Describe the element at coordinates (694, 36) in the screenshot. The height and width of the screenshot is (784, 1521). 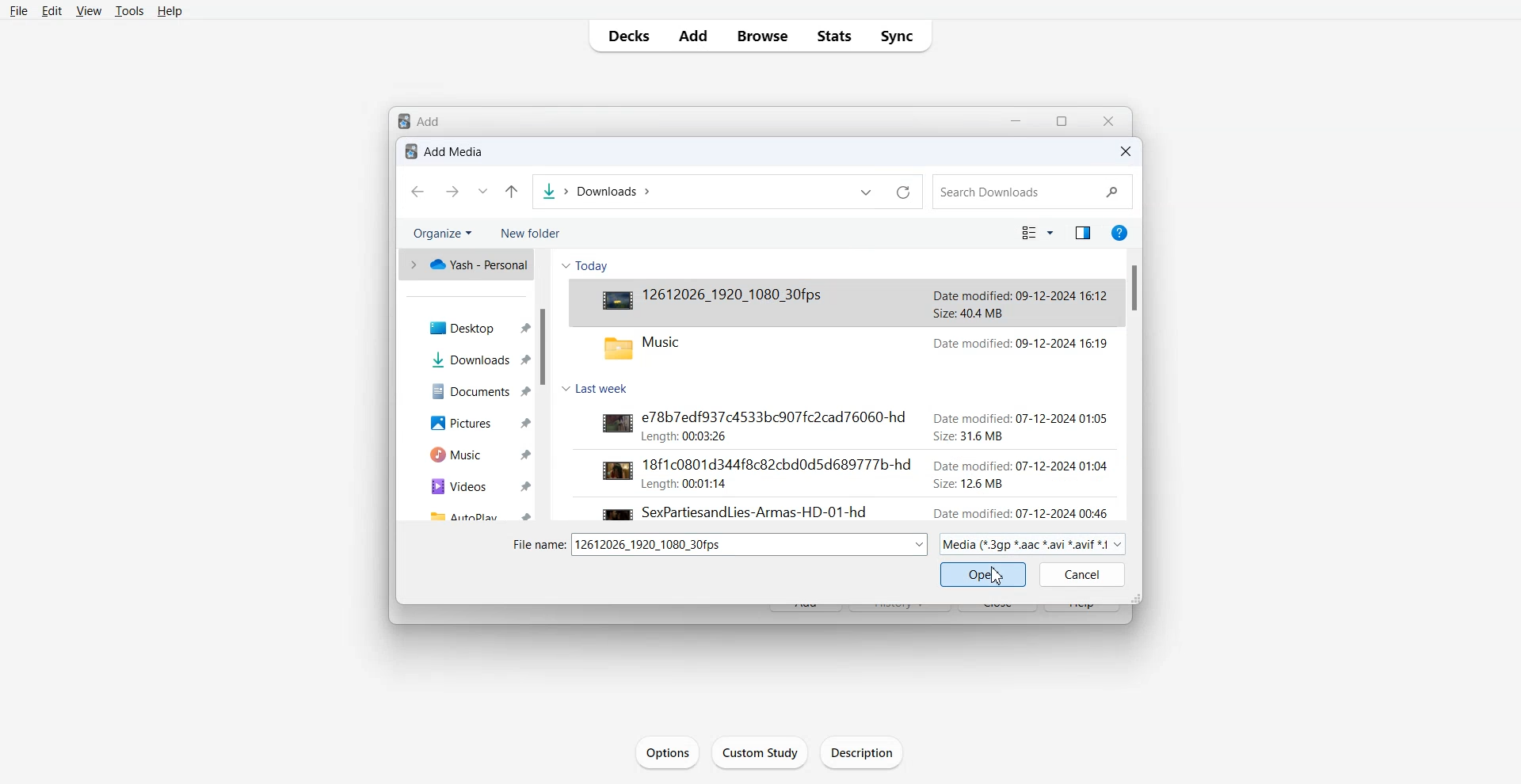
I see `Add` at that location.